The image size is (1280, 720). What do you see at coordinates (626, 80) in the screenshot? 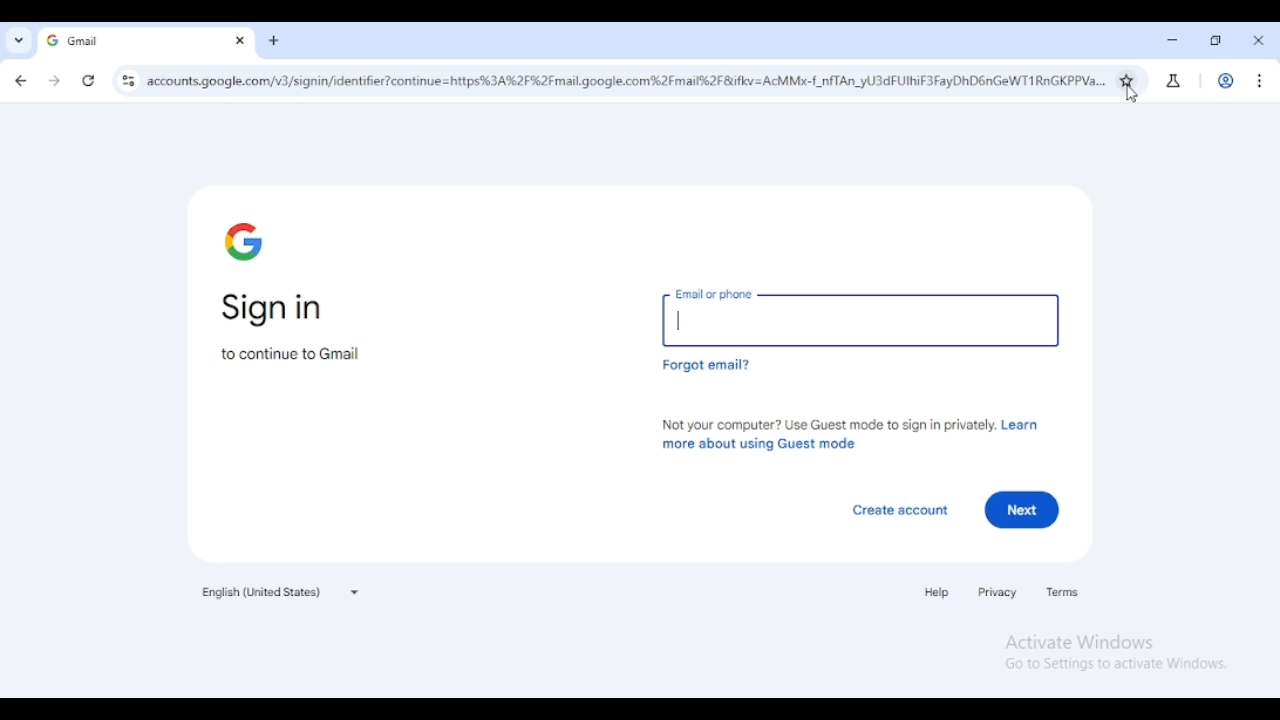
I see `website URL` at bounding box center [626, 80].